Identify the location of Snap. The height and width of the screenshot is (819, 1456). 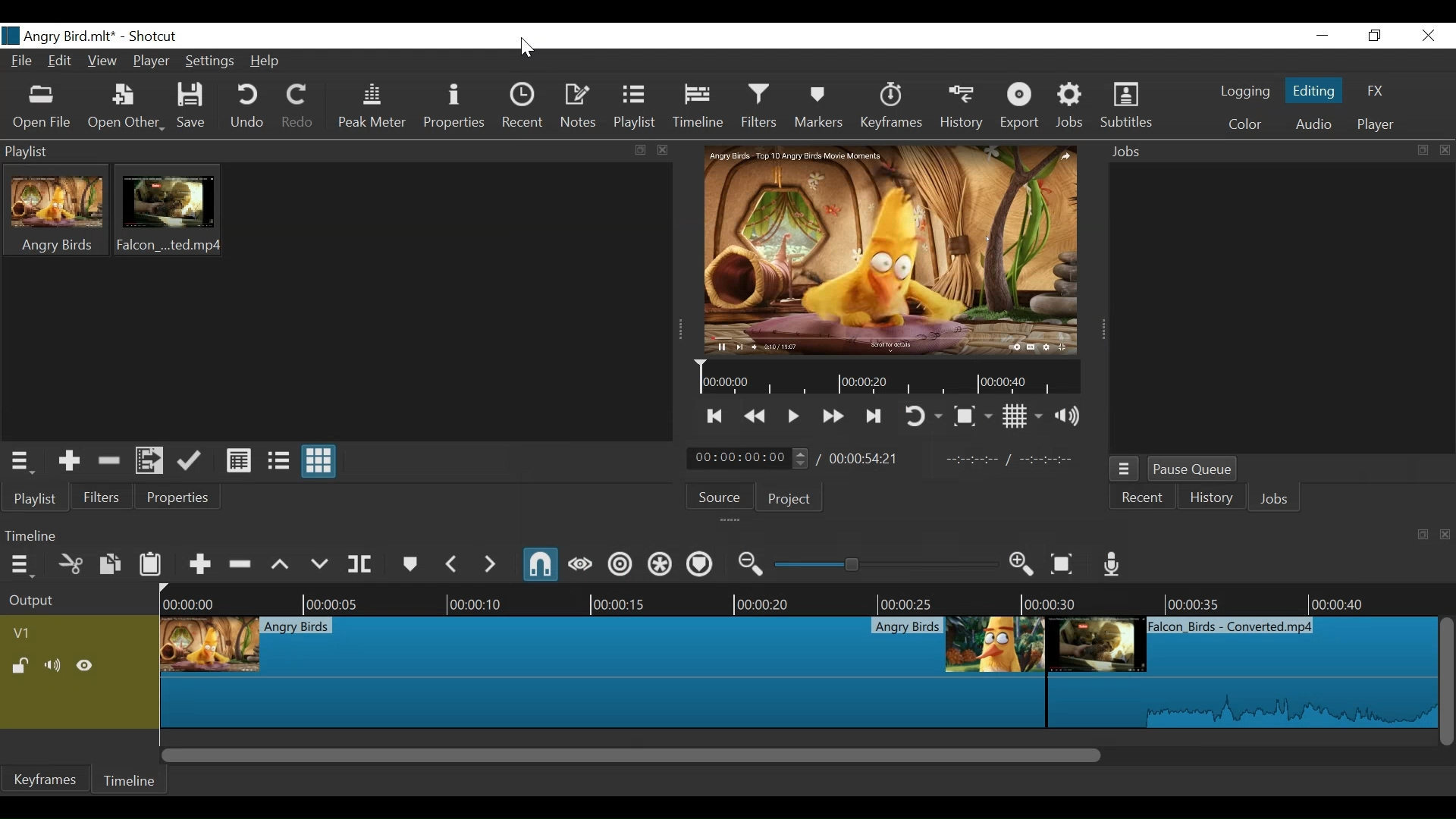
(539, 564).